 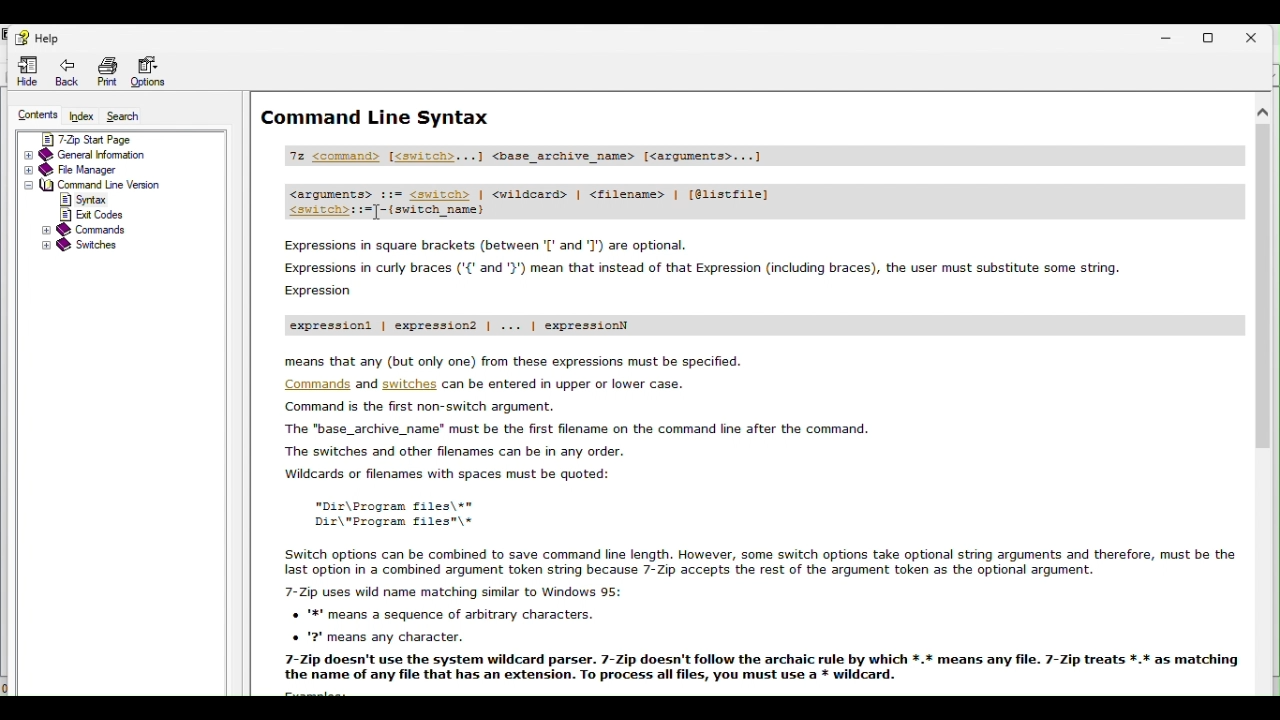 What do you see at coordinates (89, 187) in the screenshot?
I see `Command line version` at bounding box center [89, 187].